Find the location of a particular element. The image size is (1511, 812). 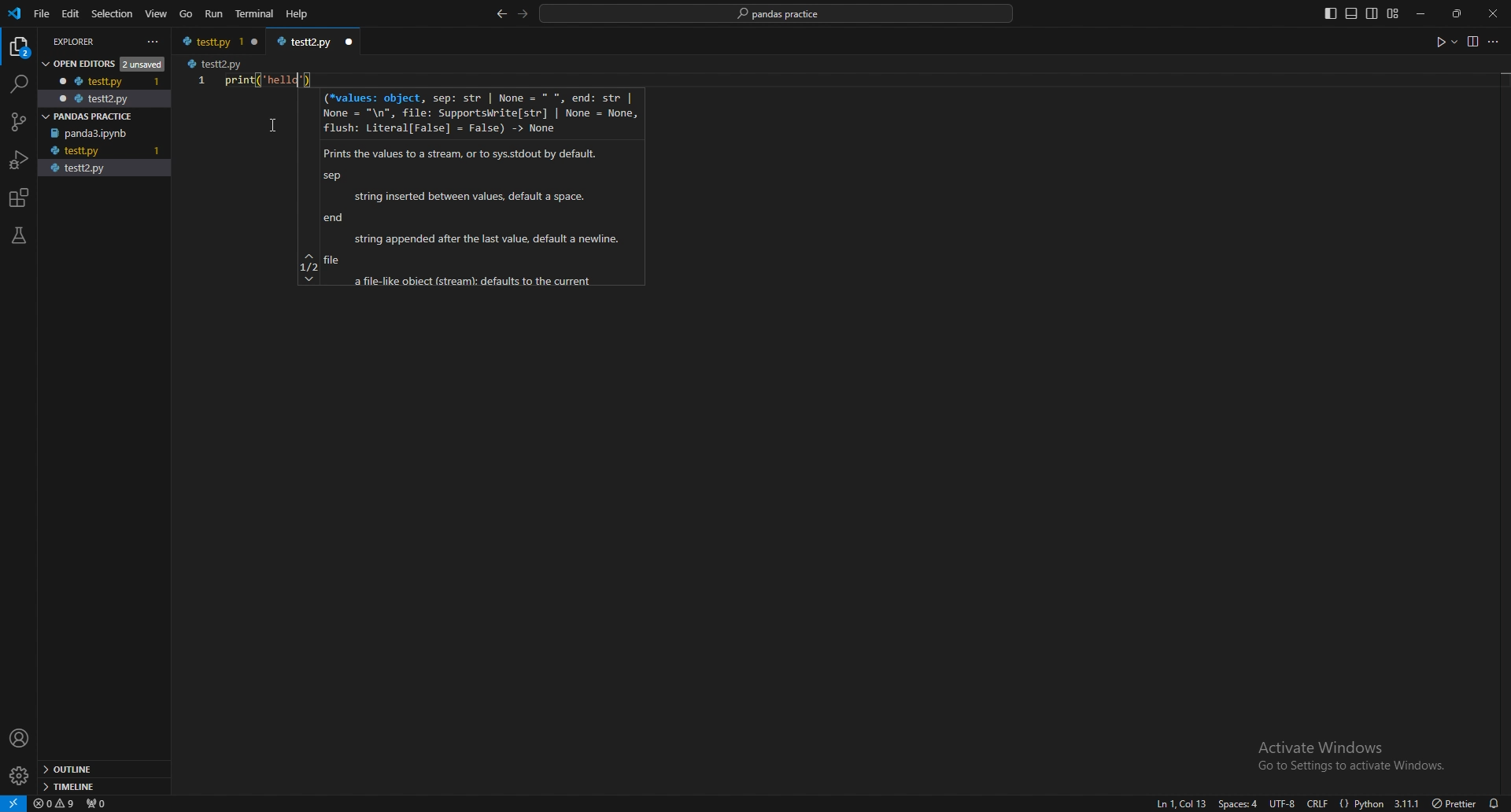

toggle primary side bar is located at coordinates (1332, 13).